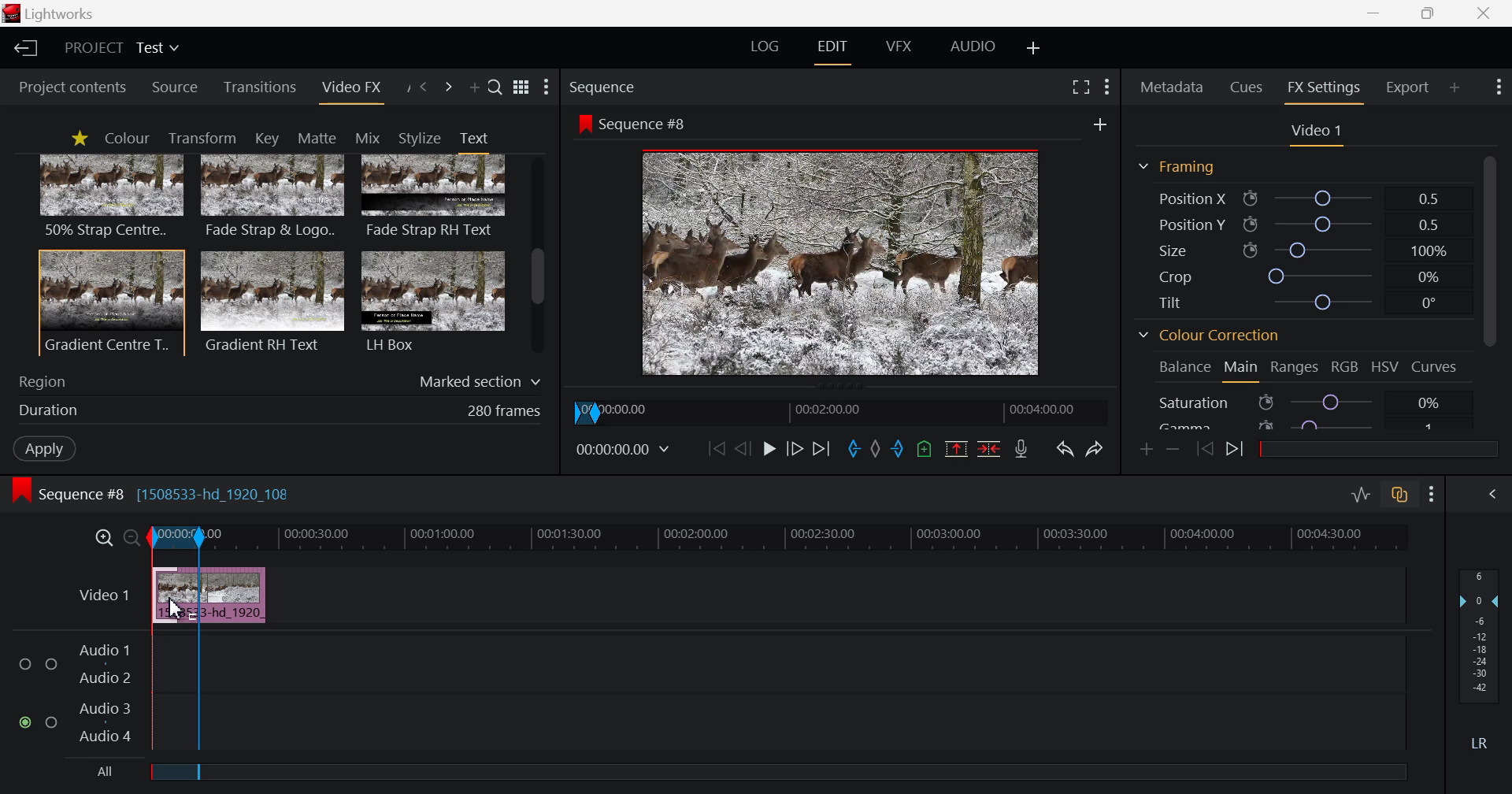 This screenshot has width=1512, height=794. I want to click on audio 3, so click(100, 707).